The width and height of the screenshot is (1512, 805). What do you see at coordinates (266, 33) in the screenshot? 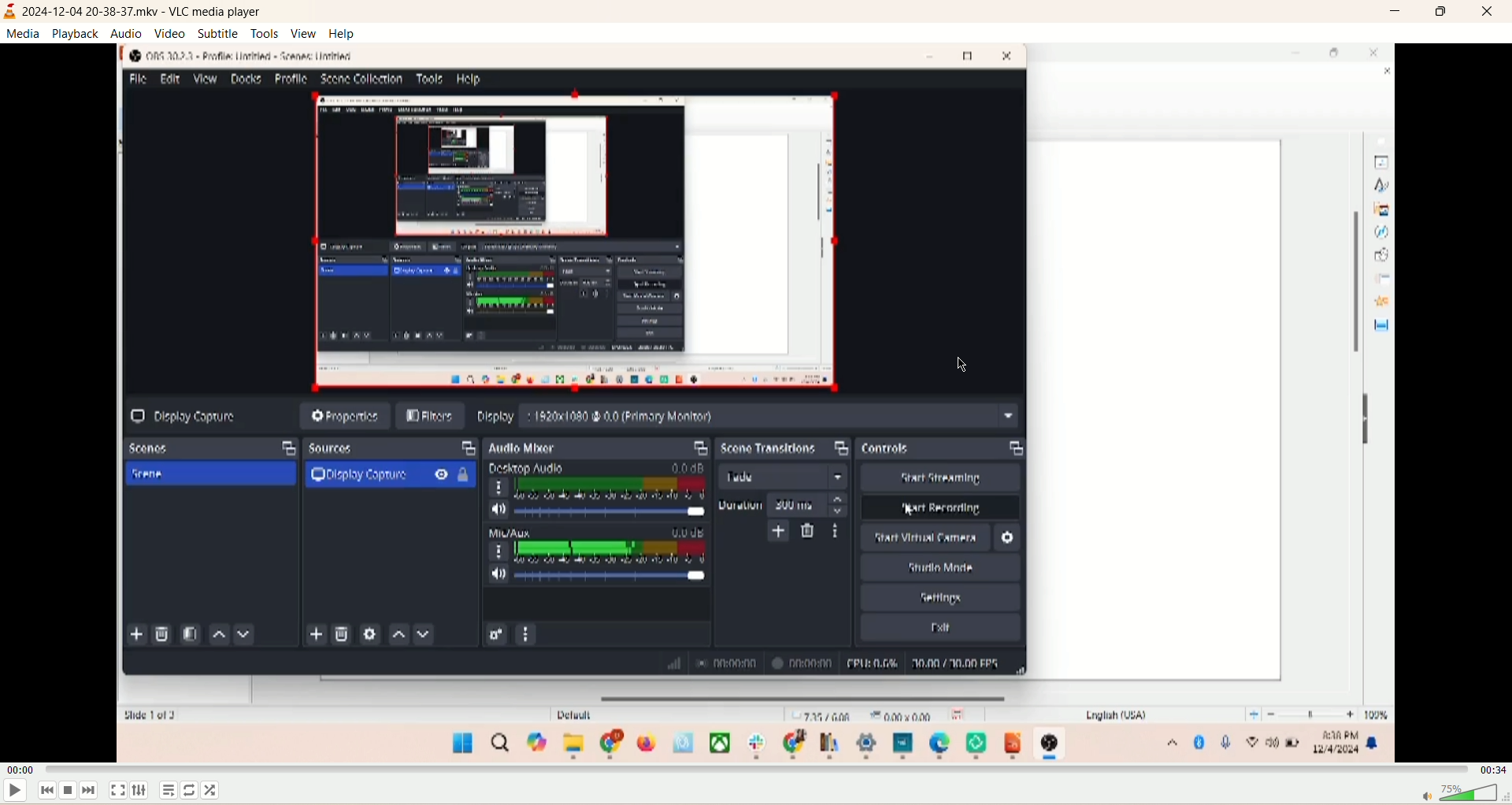
I see `tools` at bounding box center [266, 33].